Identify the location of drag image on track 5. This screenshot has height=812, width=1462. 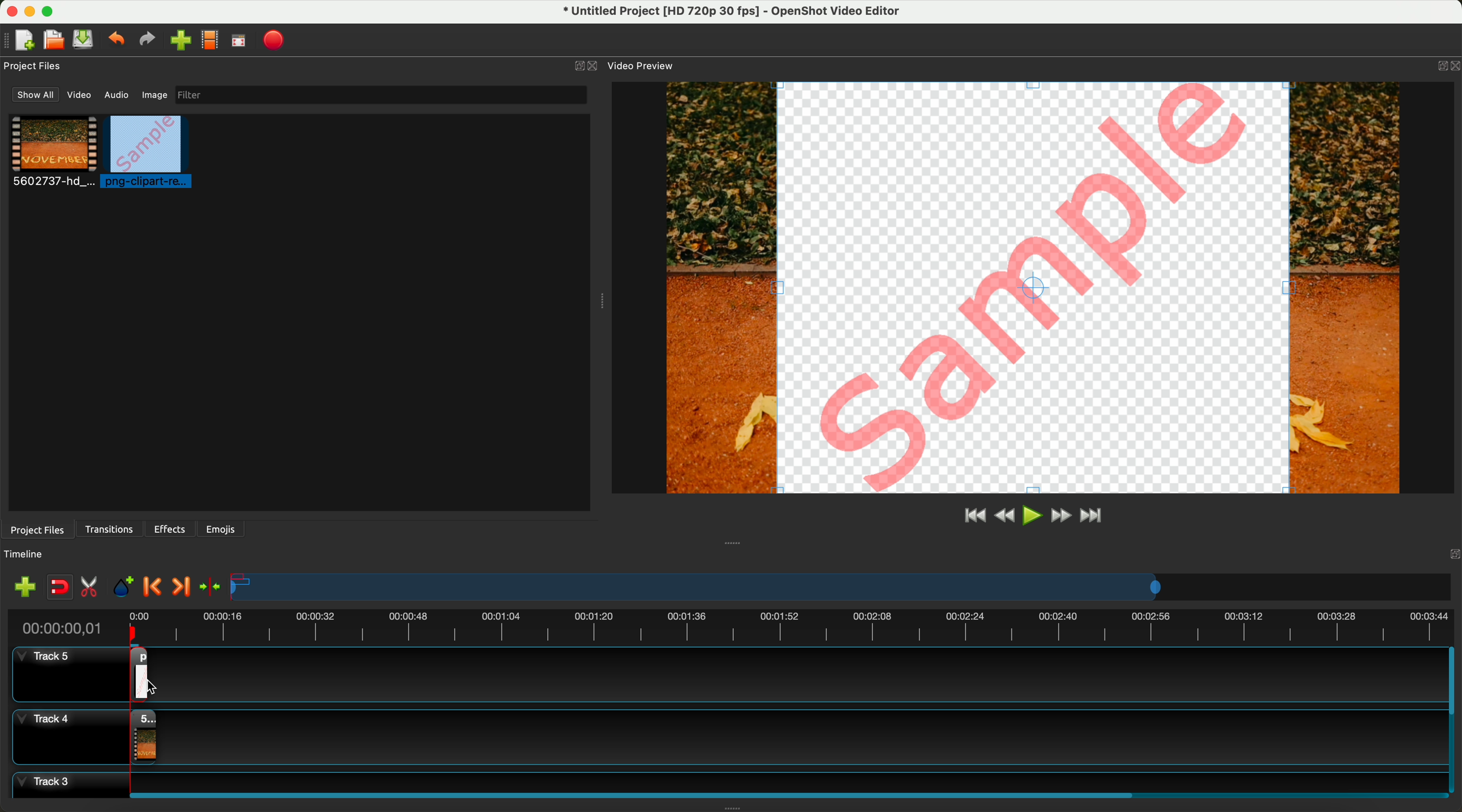
(165, 673).